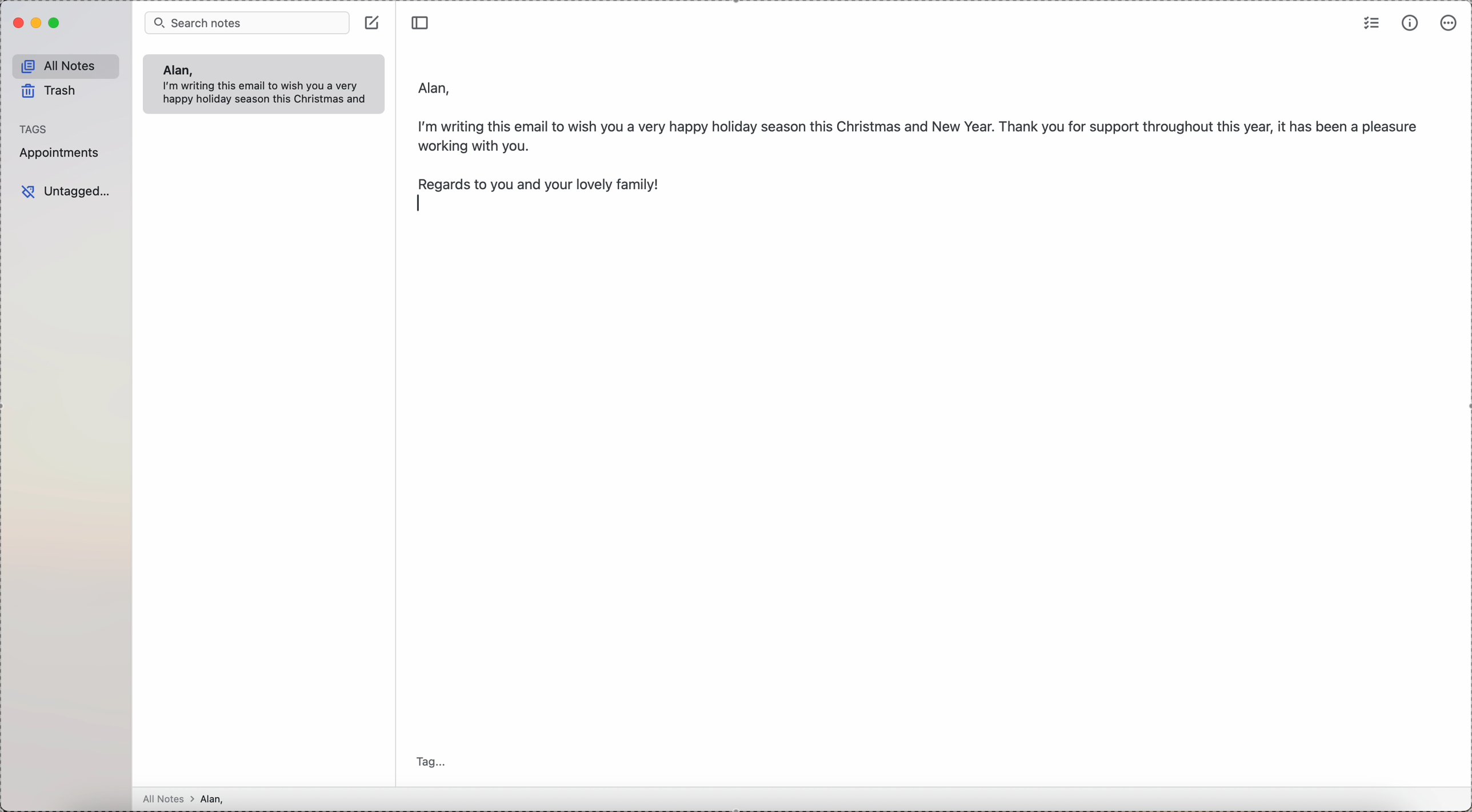  I want to click on Alan,, so click(177, 70).